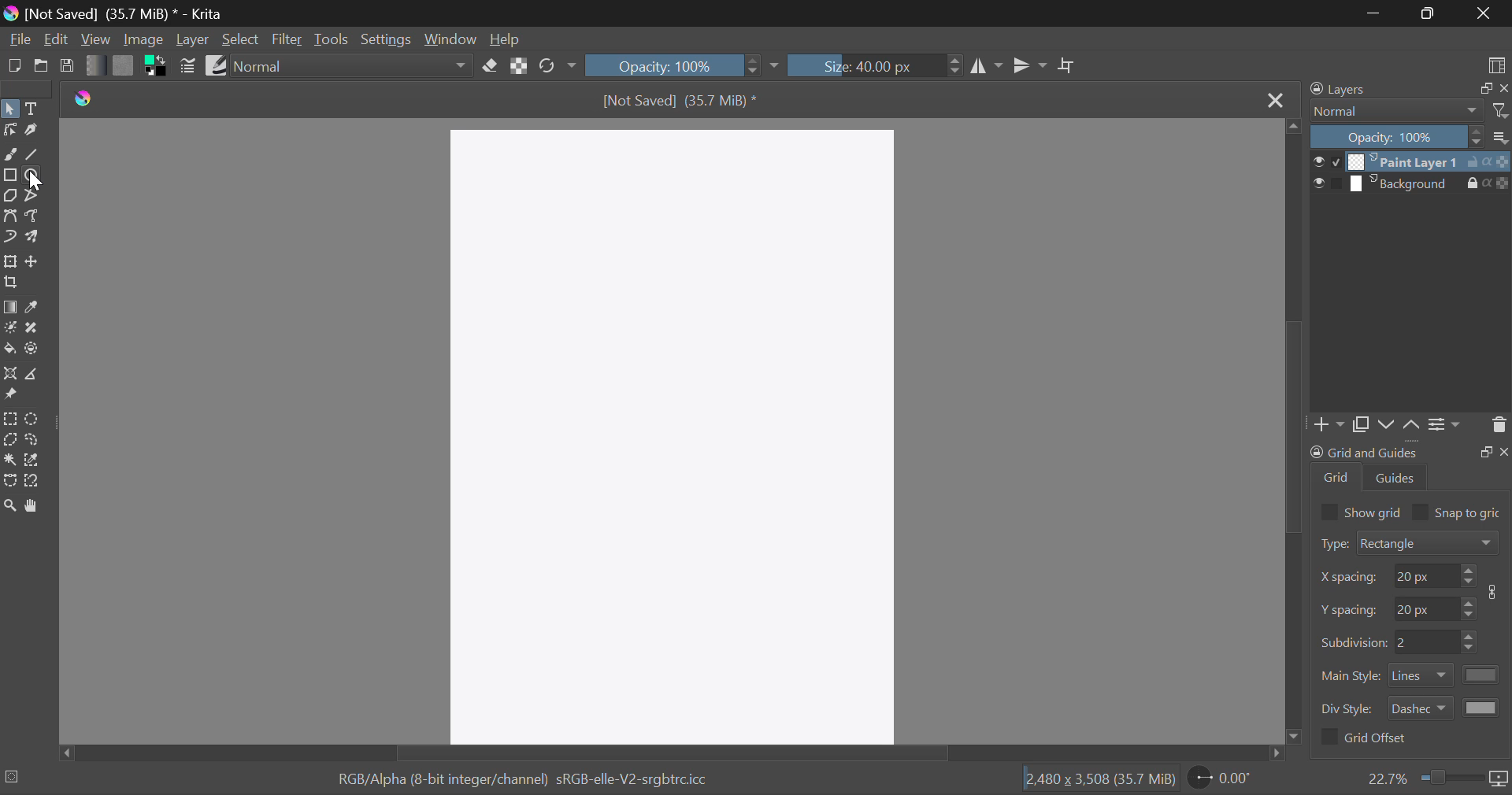 The height and width of the screenshot is (795, 1512). Describe the element at coordinates (1096, 780) in the screenshot. I see `Document Dimensions` at that location.